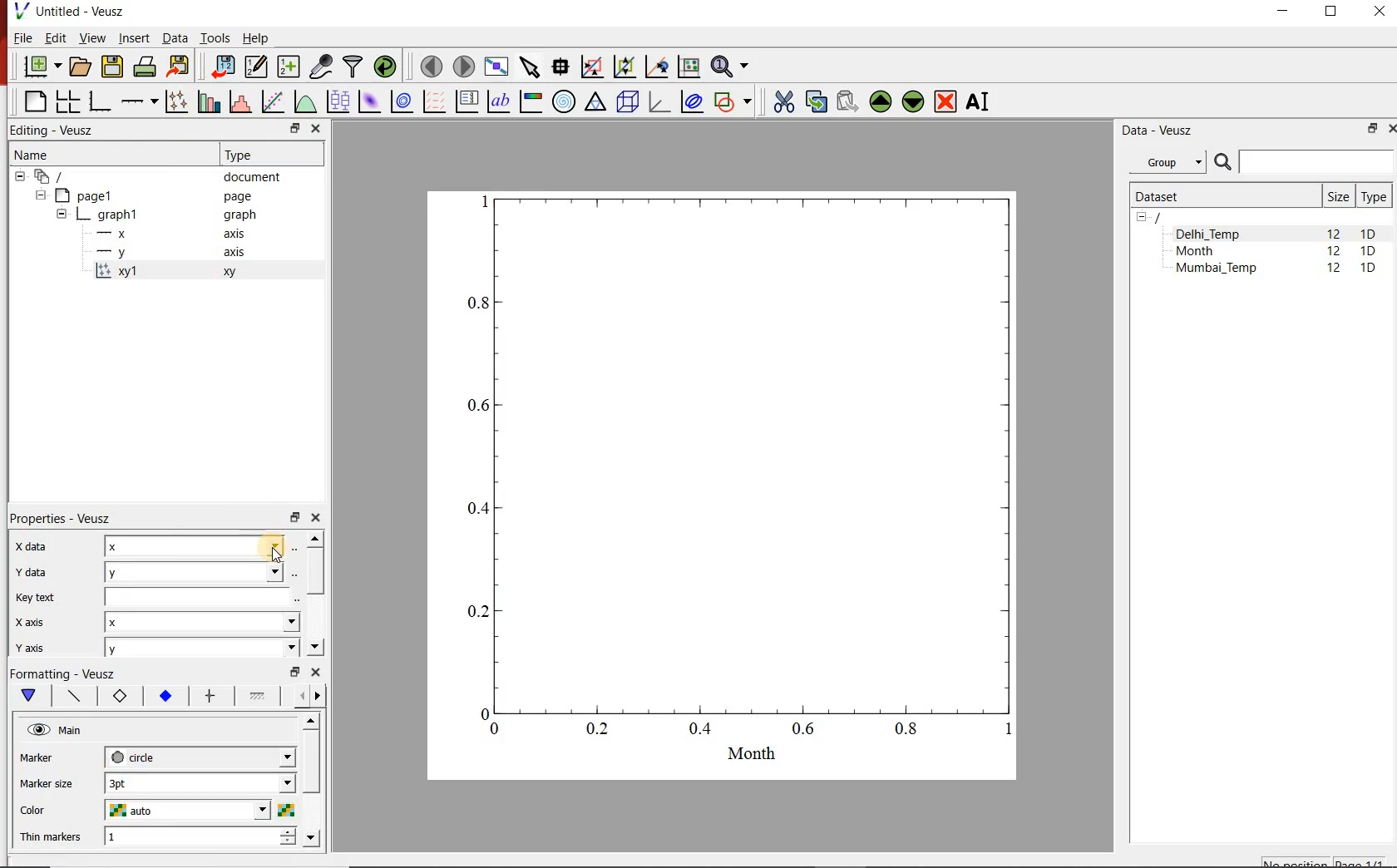 The width and height of the screenshot is (1397, 868). Describe the element at coordinates (29, 571) in the screenshot. I see `Y data` at that location.